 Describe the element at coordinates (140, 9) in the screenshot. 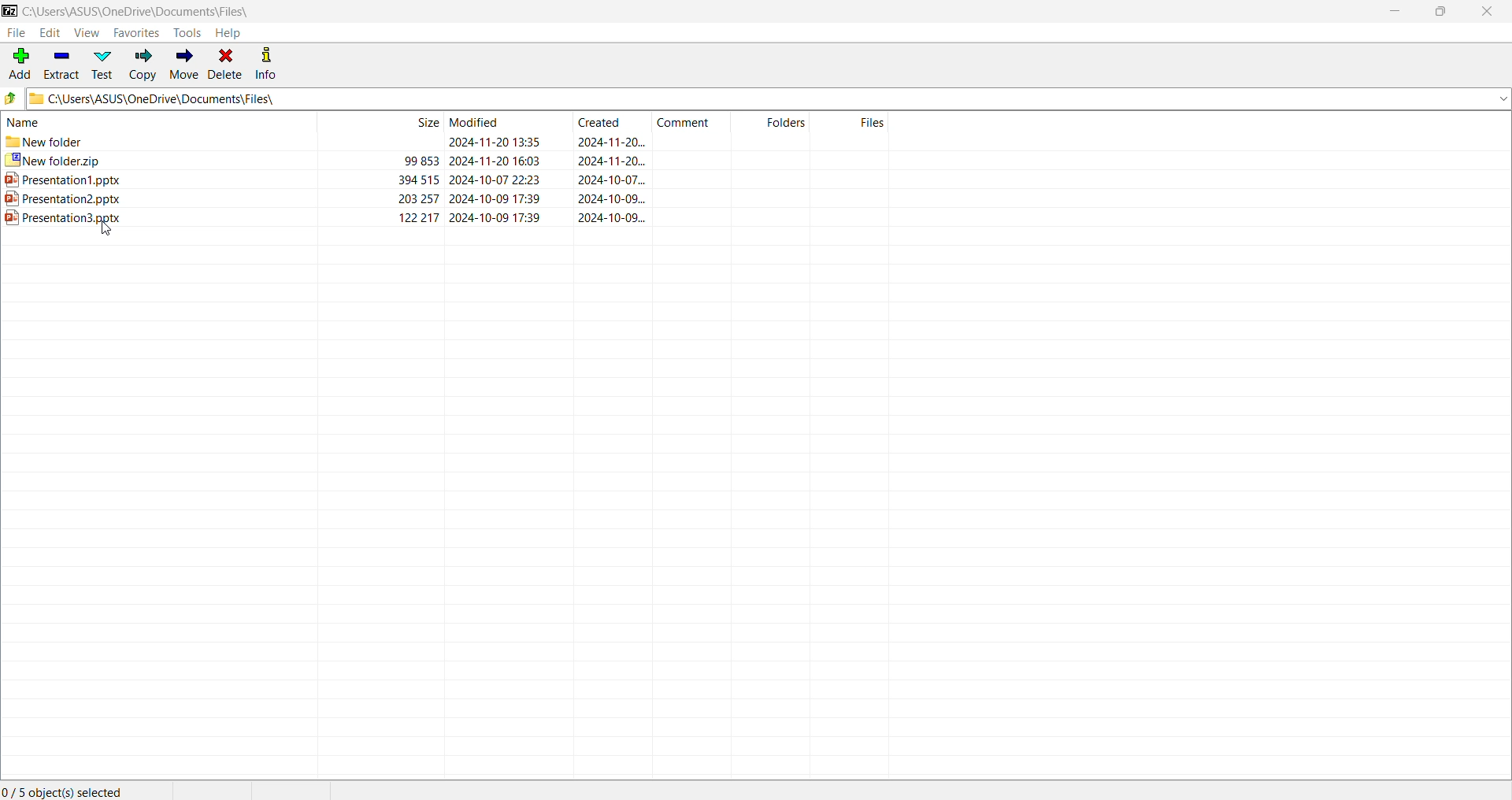

I see `Current Folder Path` at that location.